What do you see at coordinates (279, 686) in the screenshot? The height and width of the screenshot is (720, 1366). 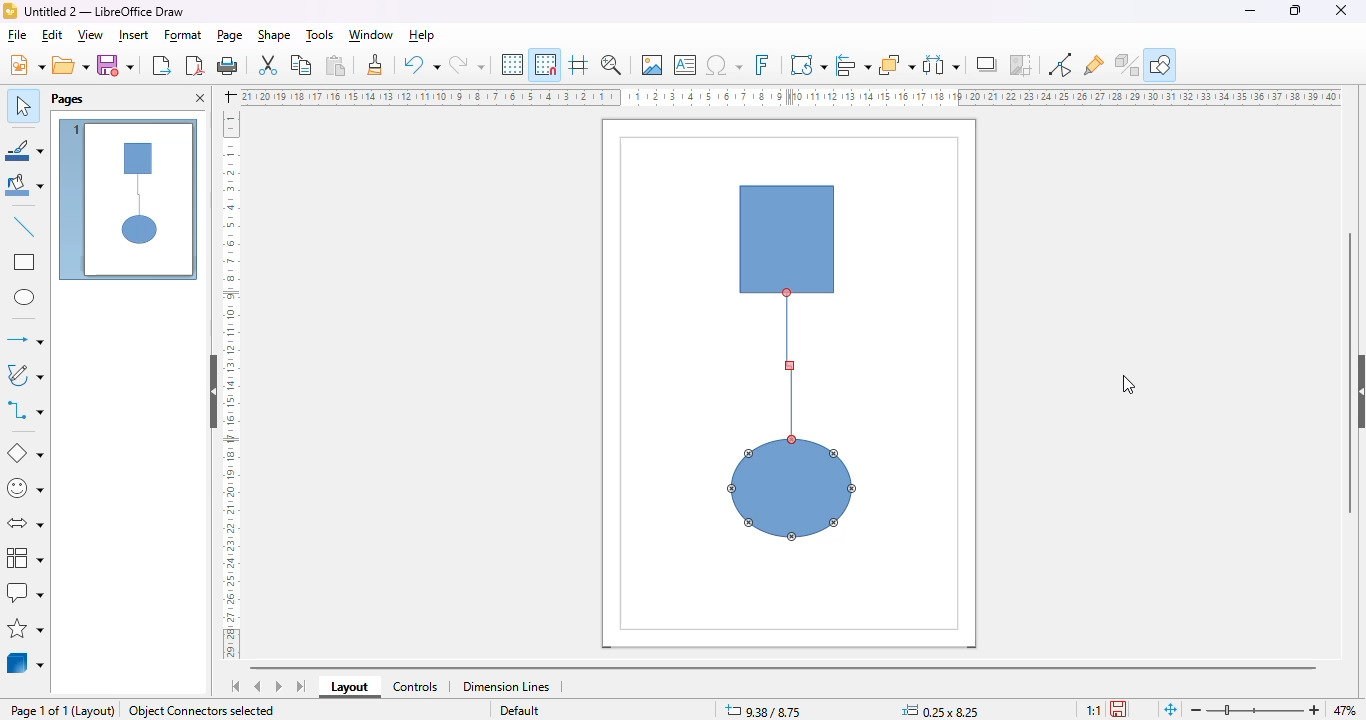 I see `scroll to next sheet` at bounding box center [279, 686].